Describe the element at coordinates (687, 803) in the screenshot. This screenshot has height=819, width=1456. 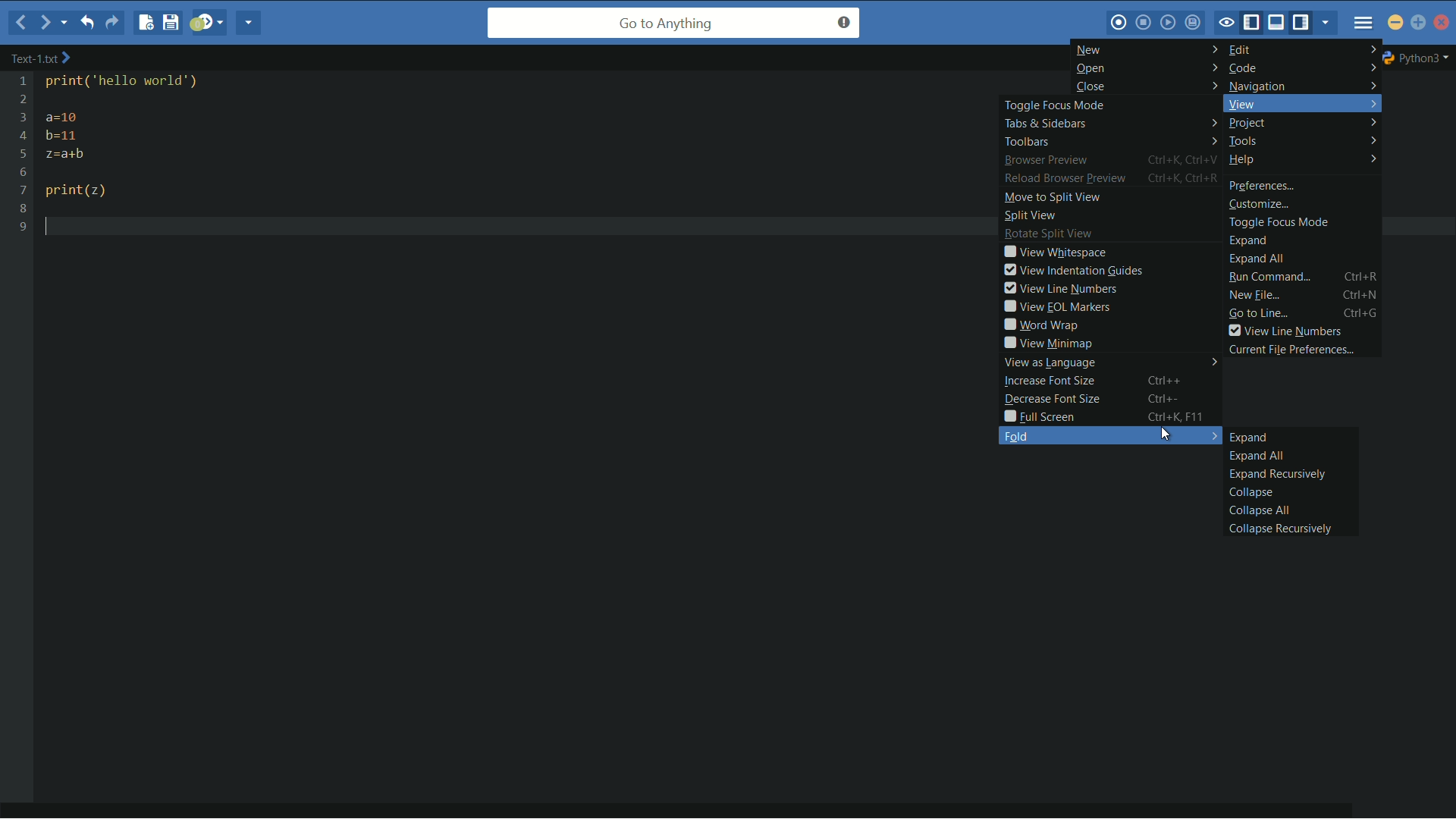
I see `horizontal scroll bar` at that location.